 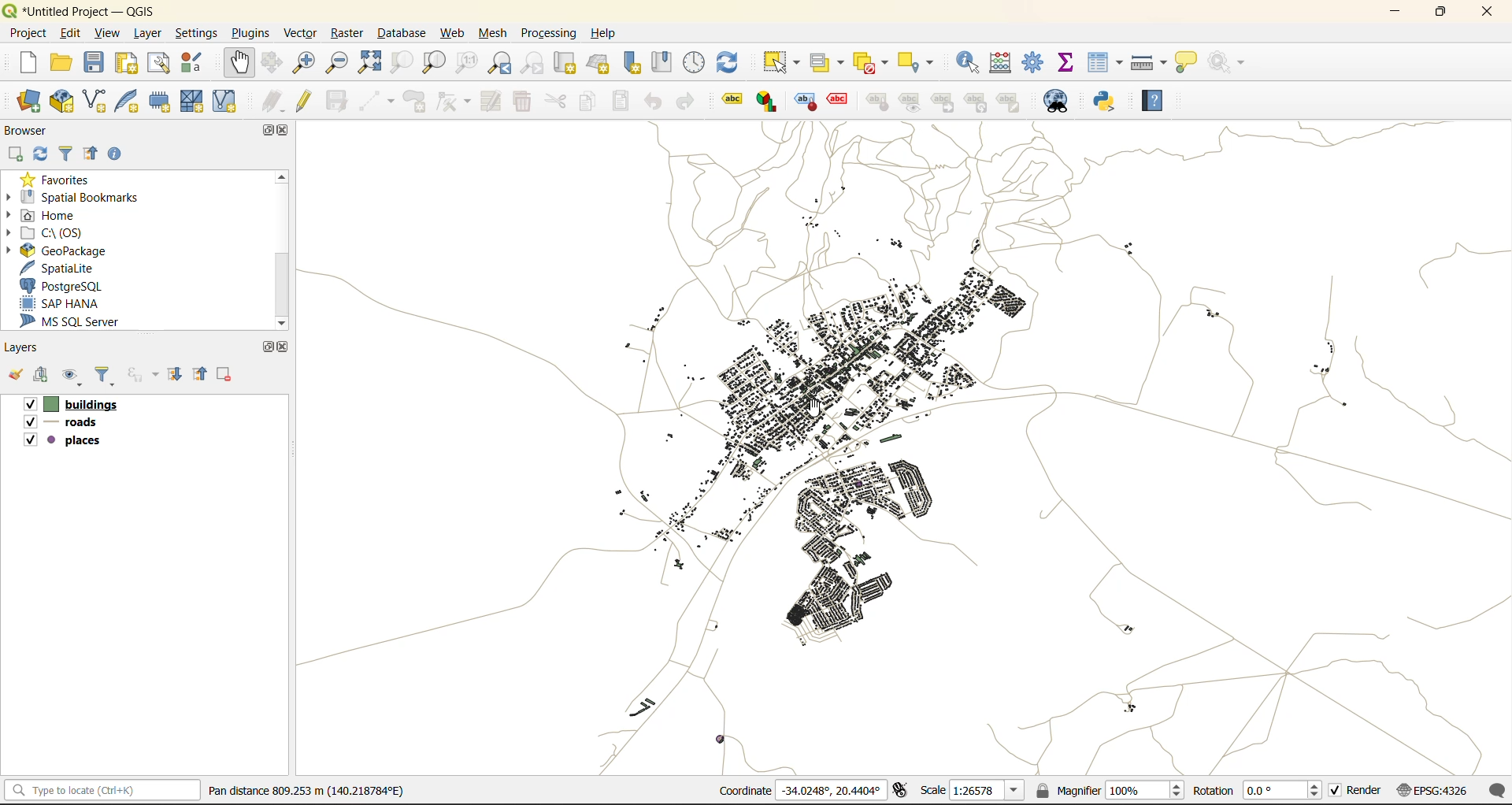 What do you see at coordinates (1161, 101) in the screenshot?
I see `help` at bounding box center [1161, 101].